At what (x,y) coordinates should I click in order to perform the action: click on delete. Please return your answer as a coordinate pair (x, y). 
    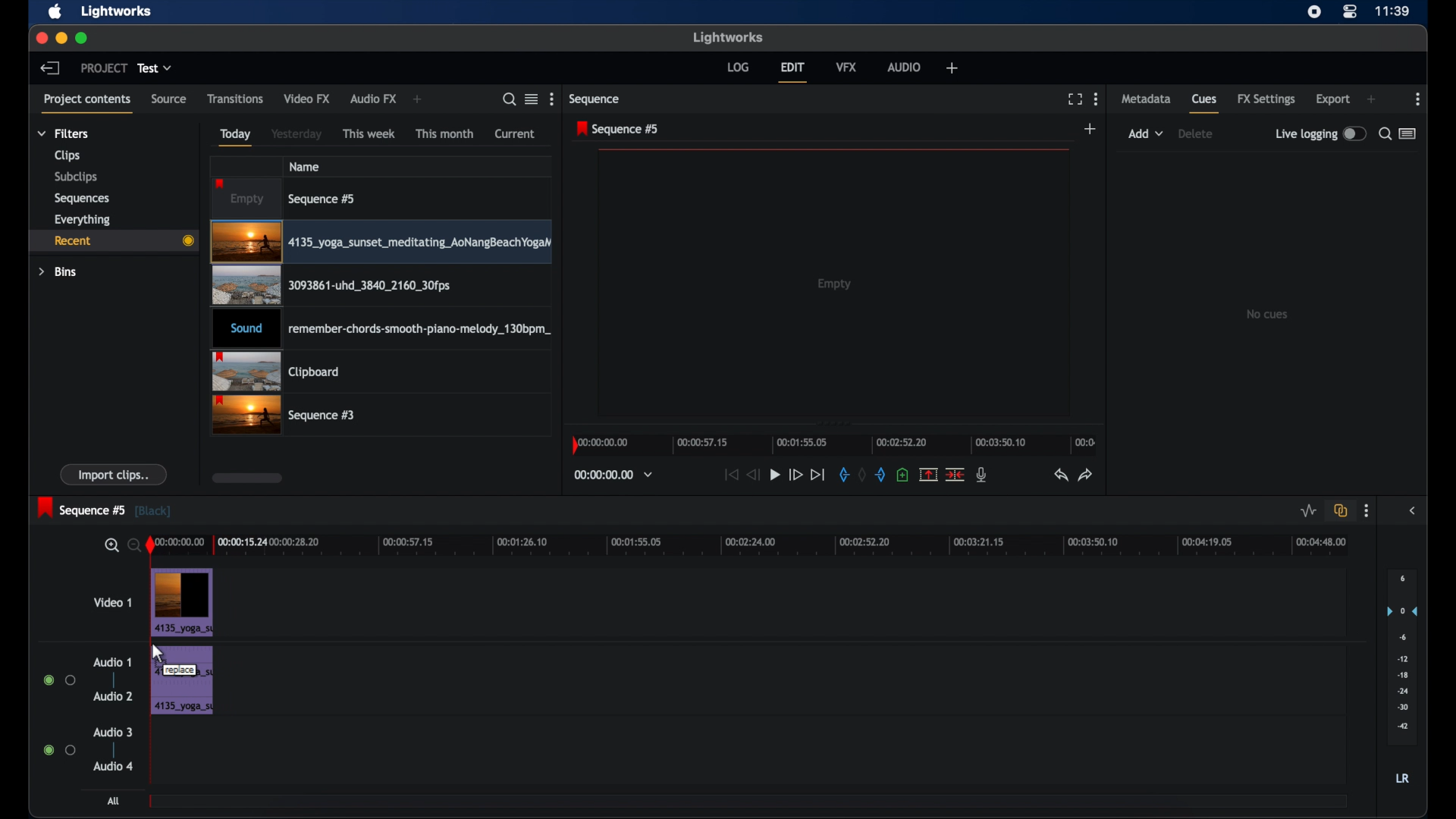
    Looking at the image, I should click on (1195, 133).